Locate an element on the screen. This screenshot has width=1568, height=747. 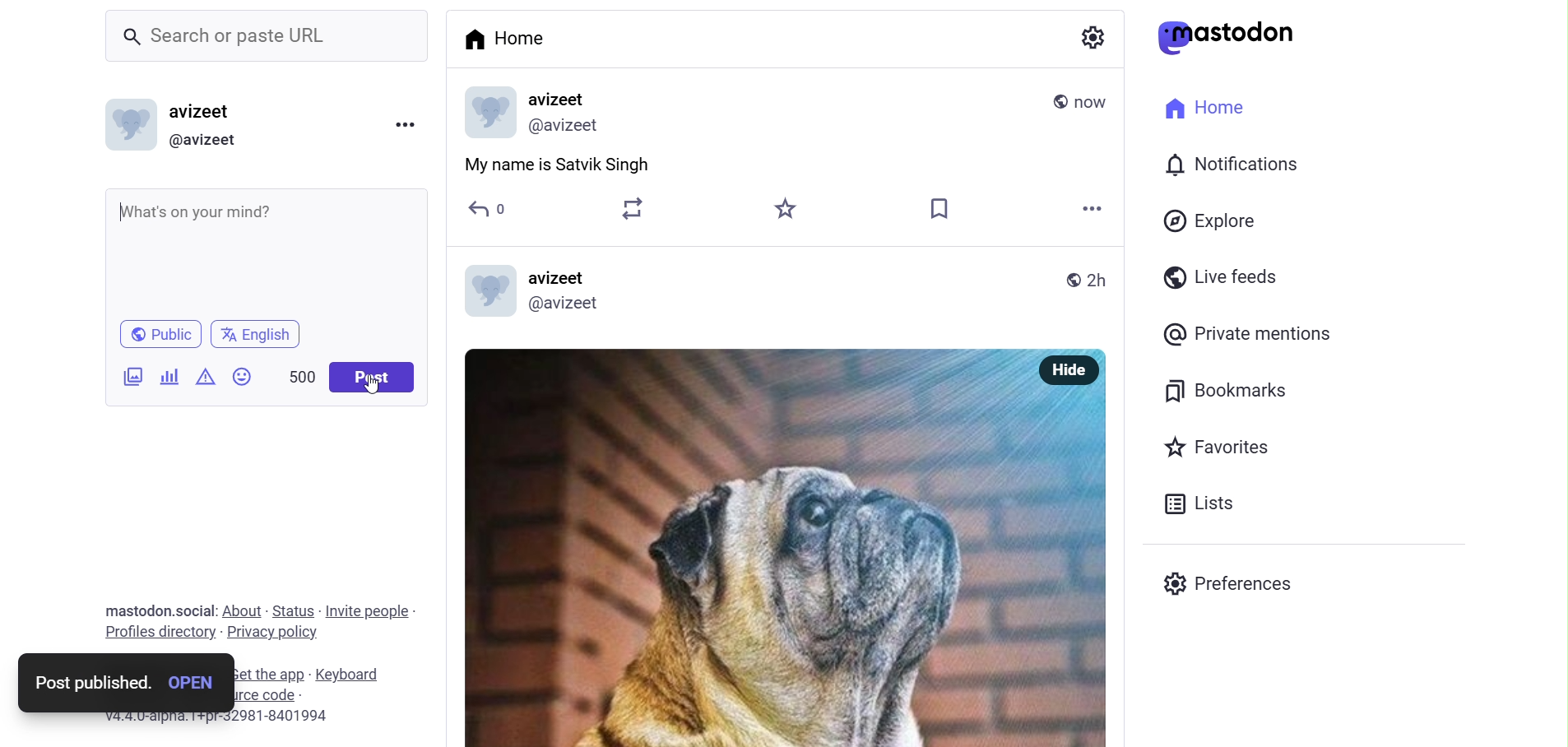
display picture is located at coordinates (486, 113).